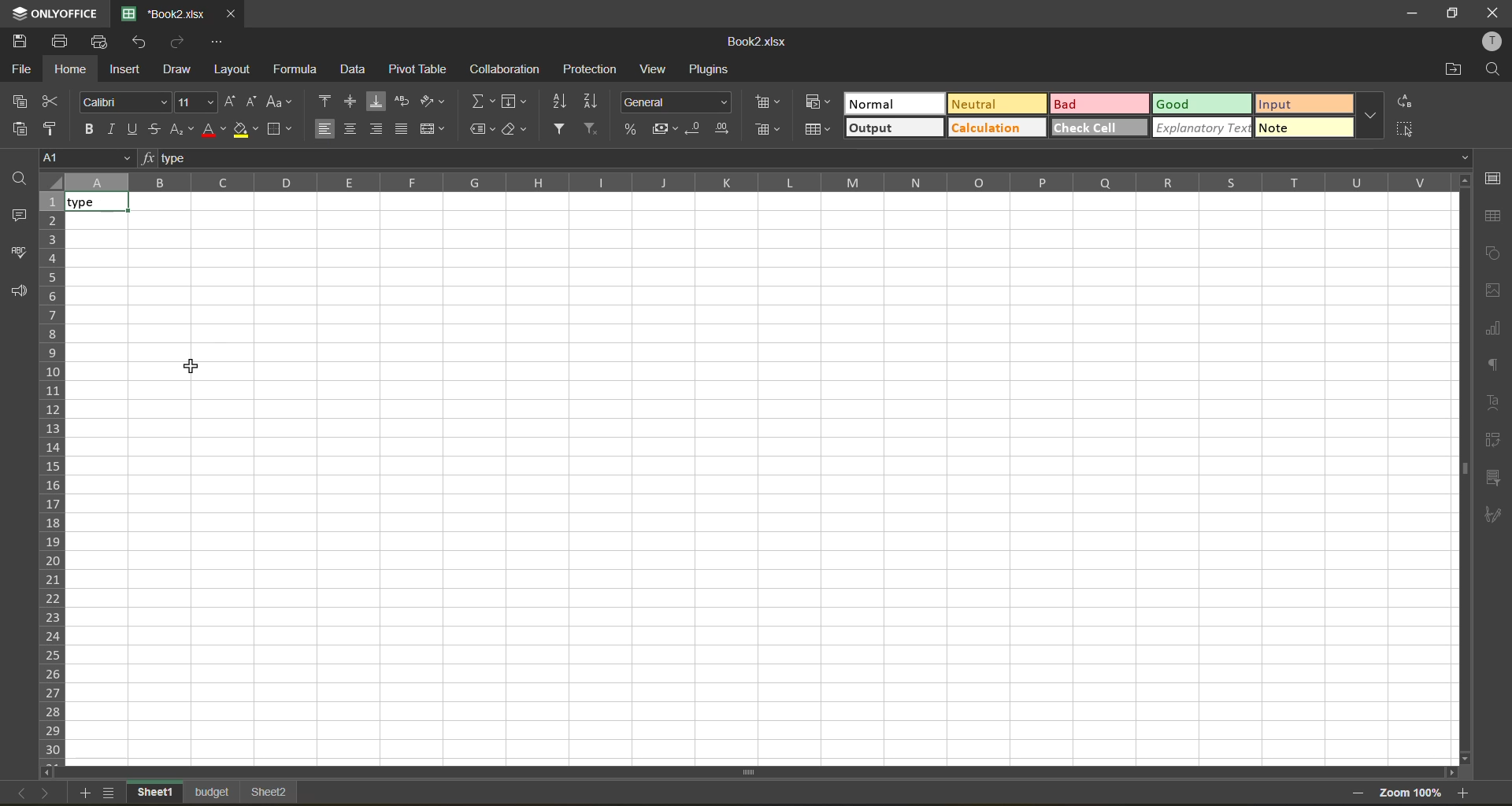 This screenshot has height=806, width=1512. What do you see at coordinates (1495, 401) in the screenshot?
I see `text` at bounding box center [1495, 401].